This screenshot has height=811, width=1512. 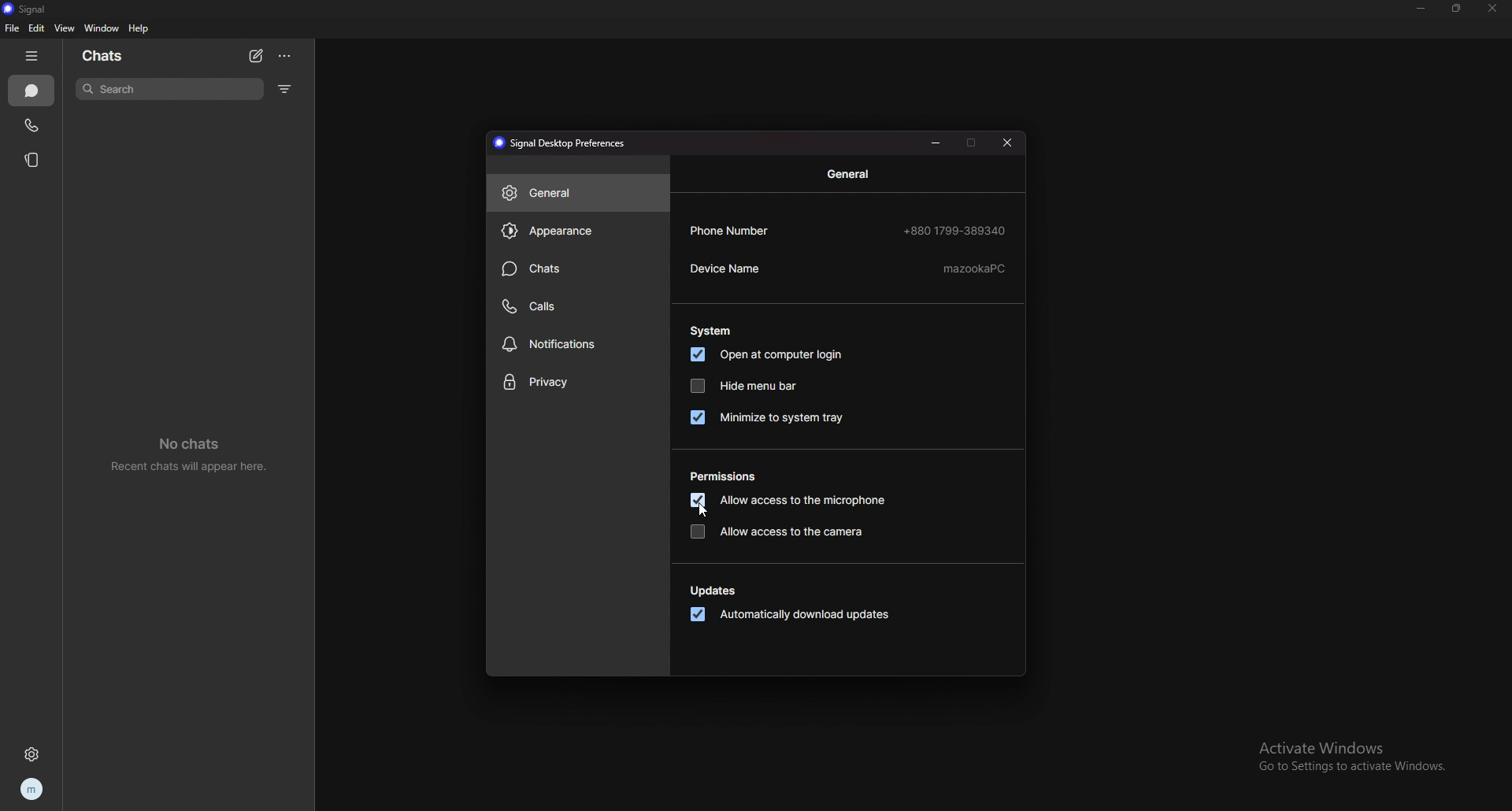 I want to click on options, so click(x=287, y=56).